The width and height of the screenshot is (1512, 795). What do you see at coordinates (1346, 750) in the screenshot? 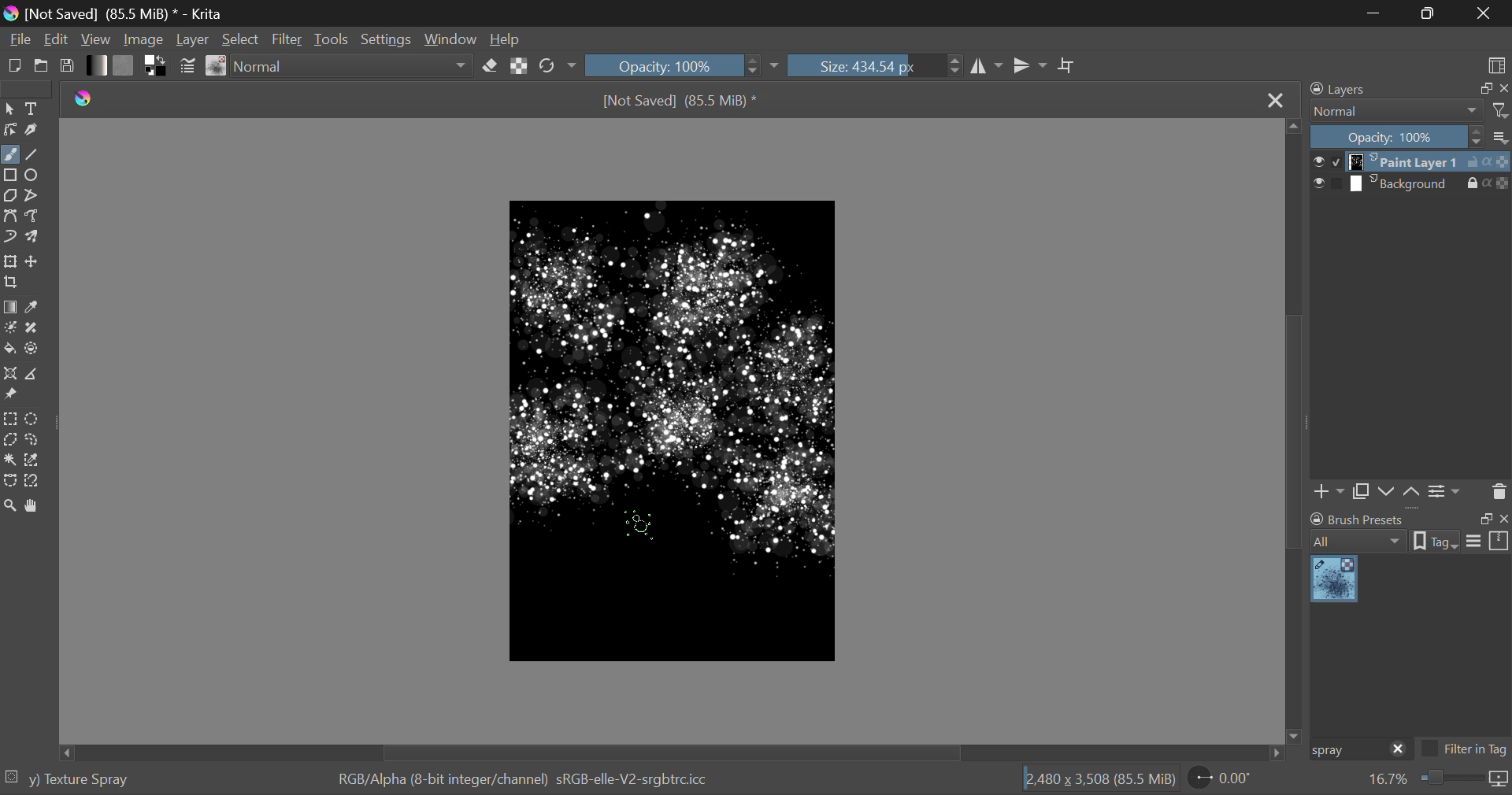
I see `Brush Preset Search: "spray"` at bounding box center [1346, 750].